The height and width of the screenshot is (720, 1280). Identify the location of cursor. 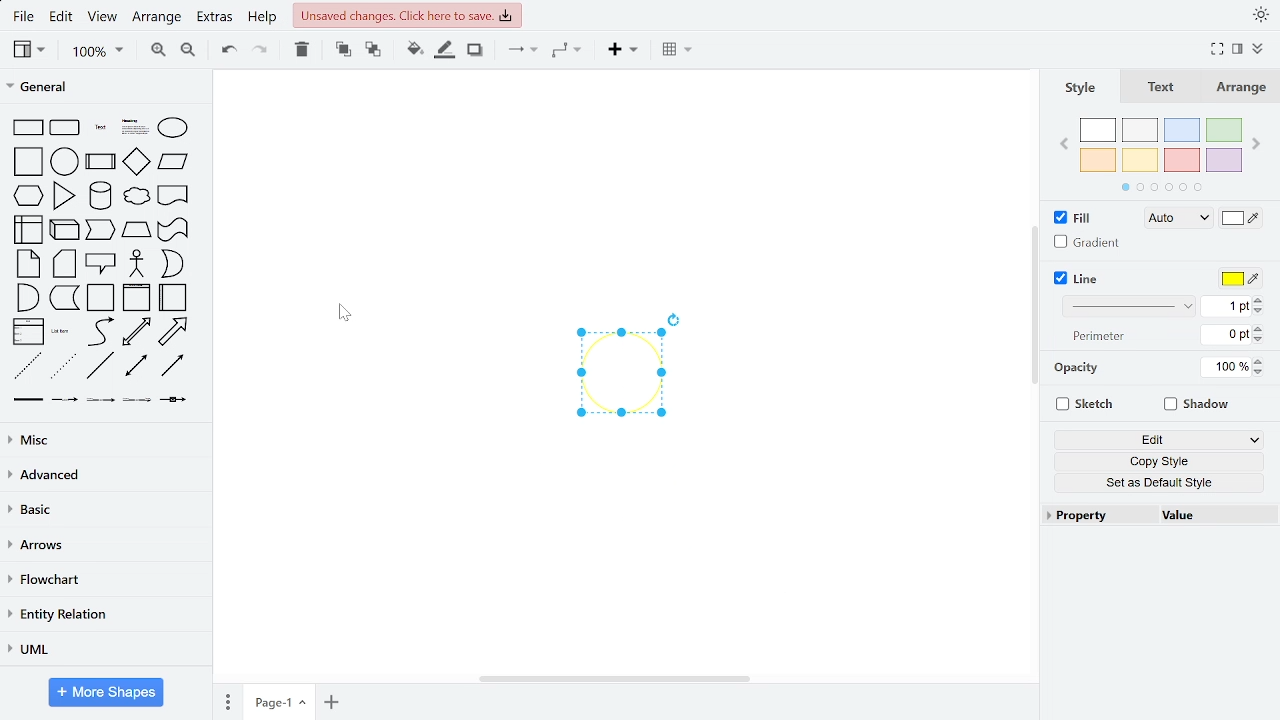
(344, 313).